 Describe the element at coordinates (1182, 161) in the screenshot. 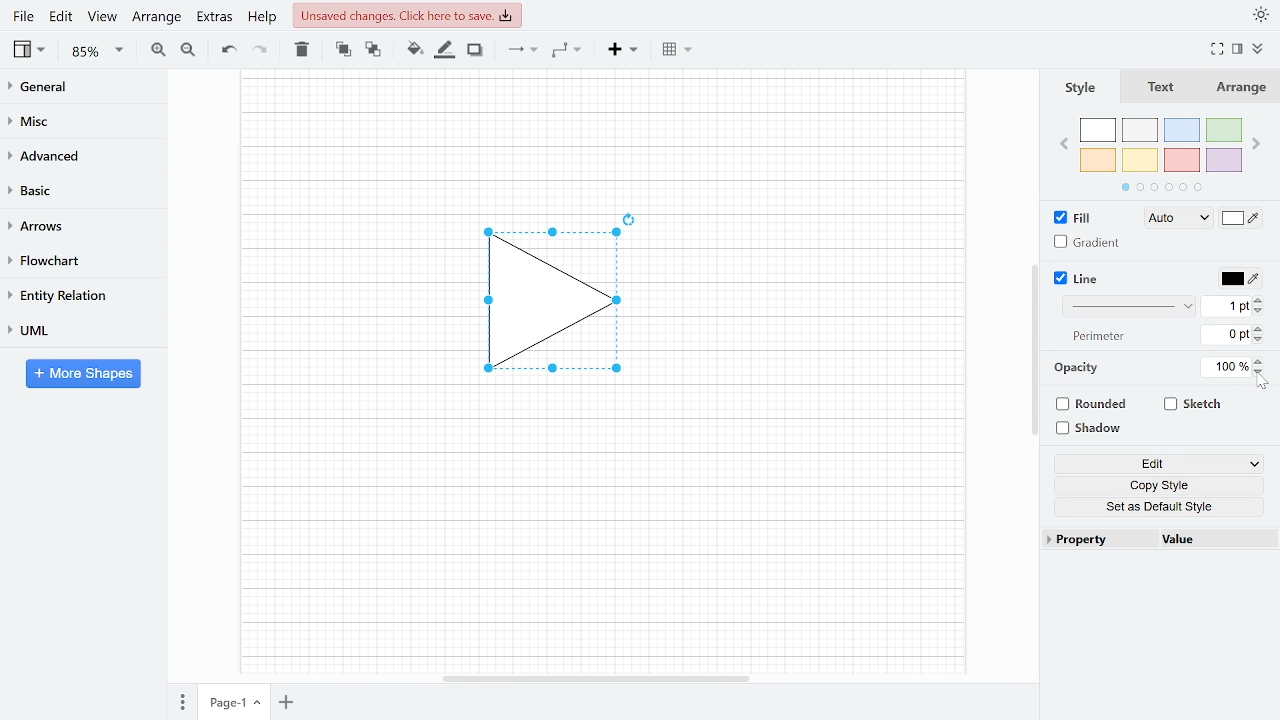

I see `red` at that location.